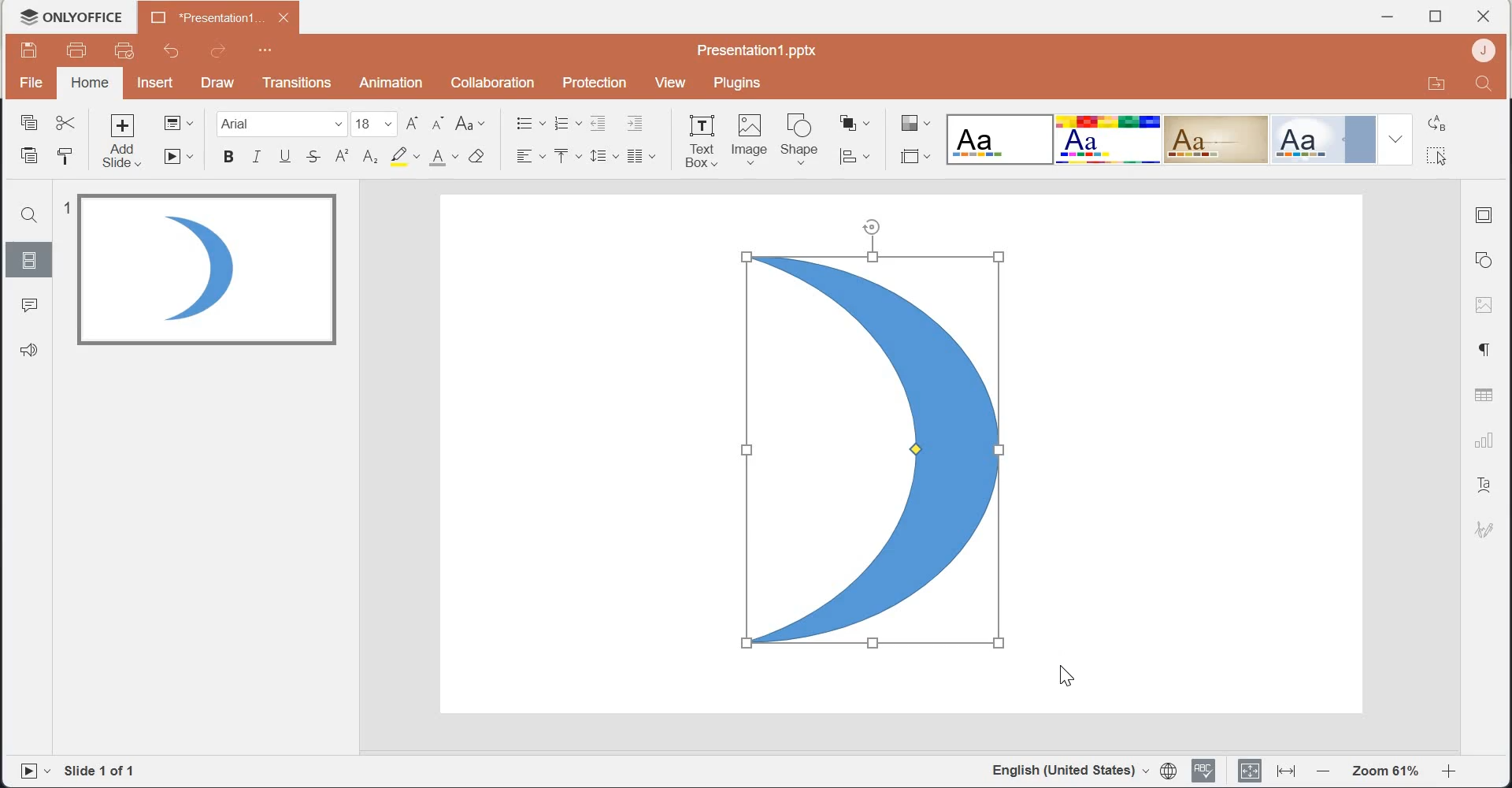 This screenshot has height=788, width=1512. I want to click on Animation, so click(391, 83).